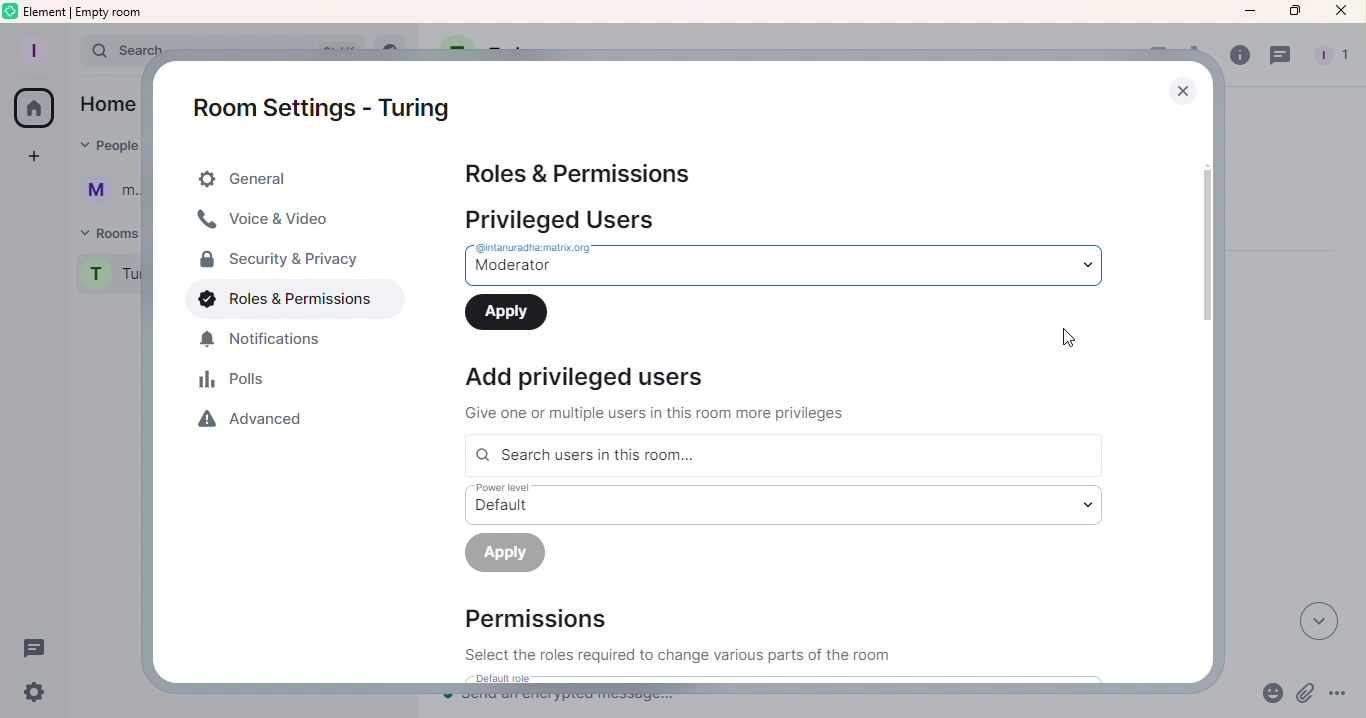 The image size is (1366, 718). Describe the element at coordinates (34, 694) in the screenshot. I see `Quick settings` at that location.